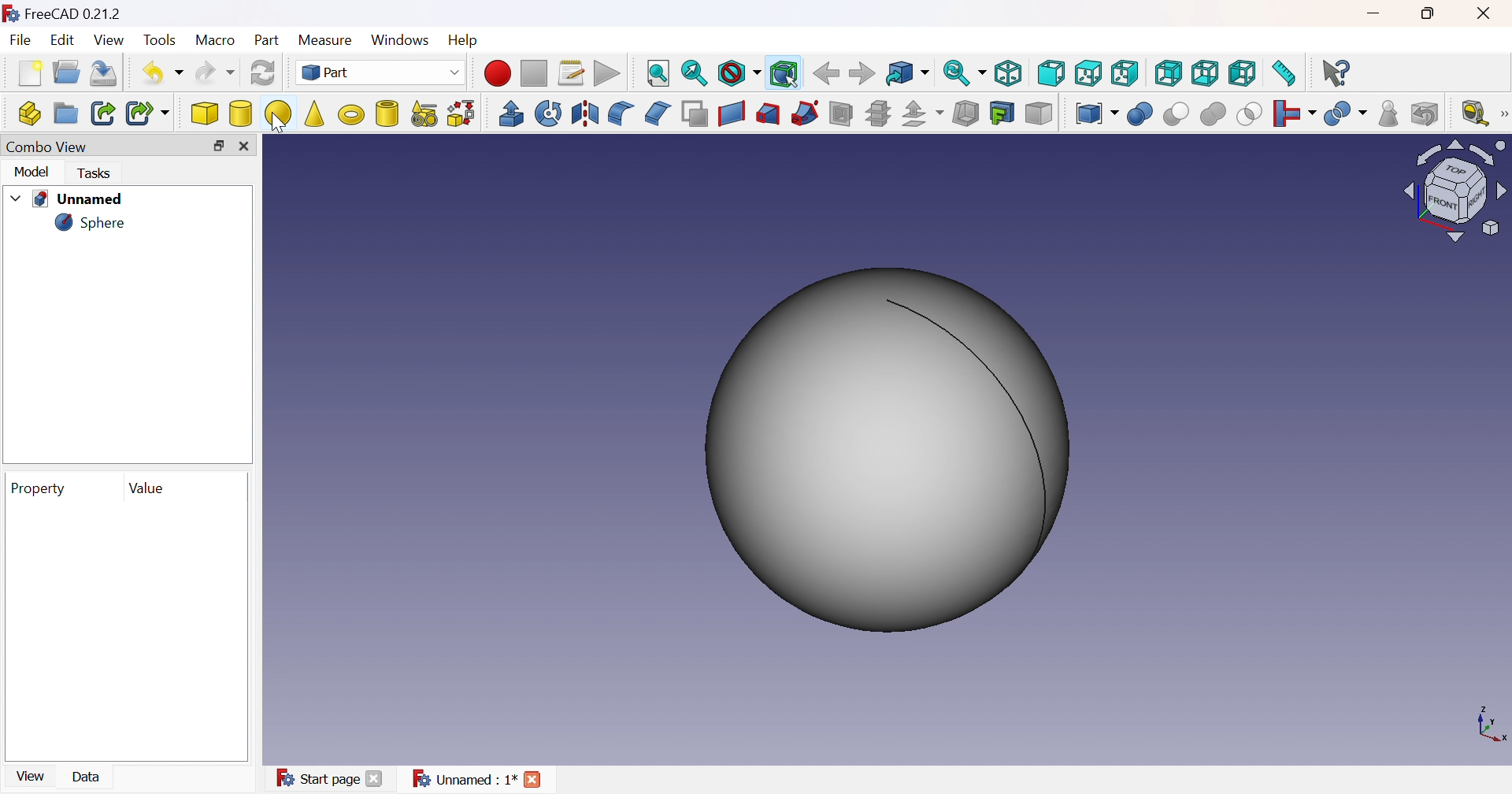 This screenshot has height=794, width=1512. Describe the element at coordinates (278, 113) in the screenshot. I see `Sphere` at that location.